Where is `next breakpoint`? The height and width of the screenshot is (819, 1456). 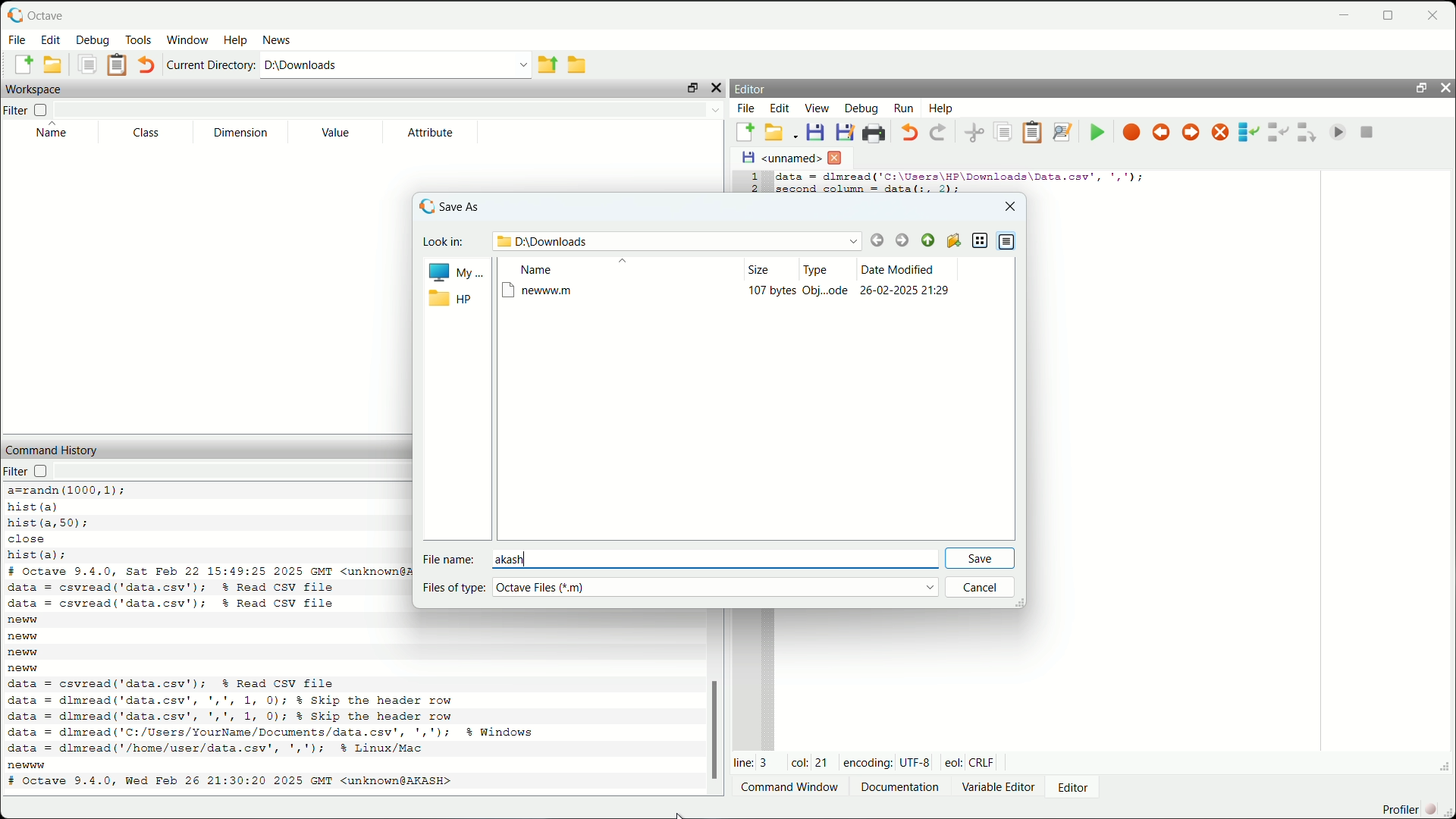
next breakpoint is located at coordinates (1189, 133).